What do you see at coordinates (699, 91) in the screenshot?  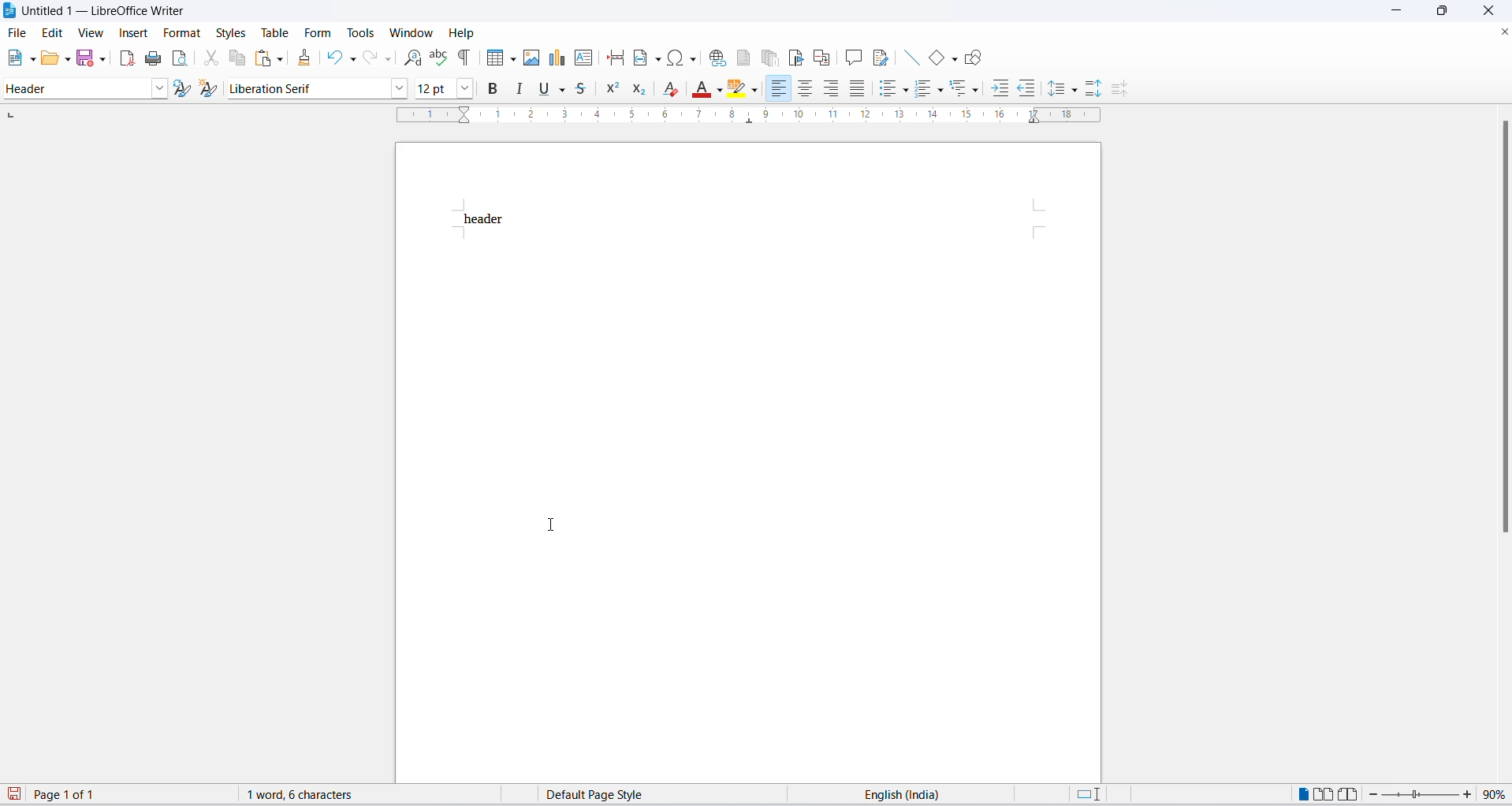 I see `font color` at bounding box center [699, 91].